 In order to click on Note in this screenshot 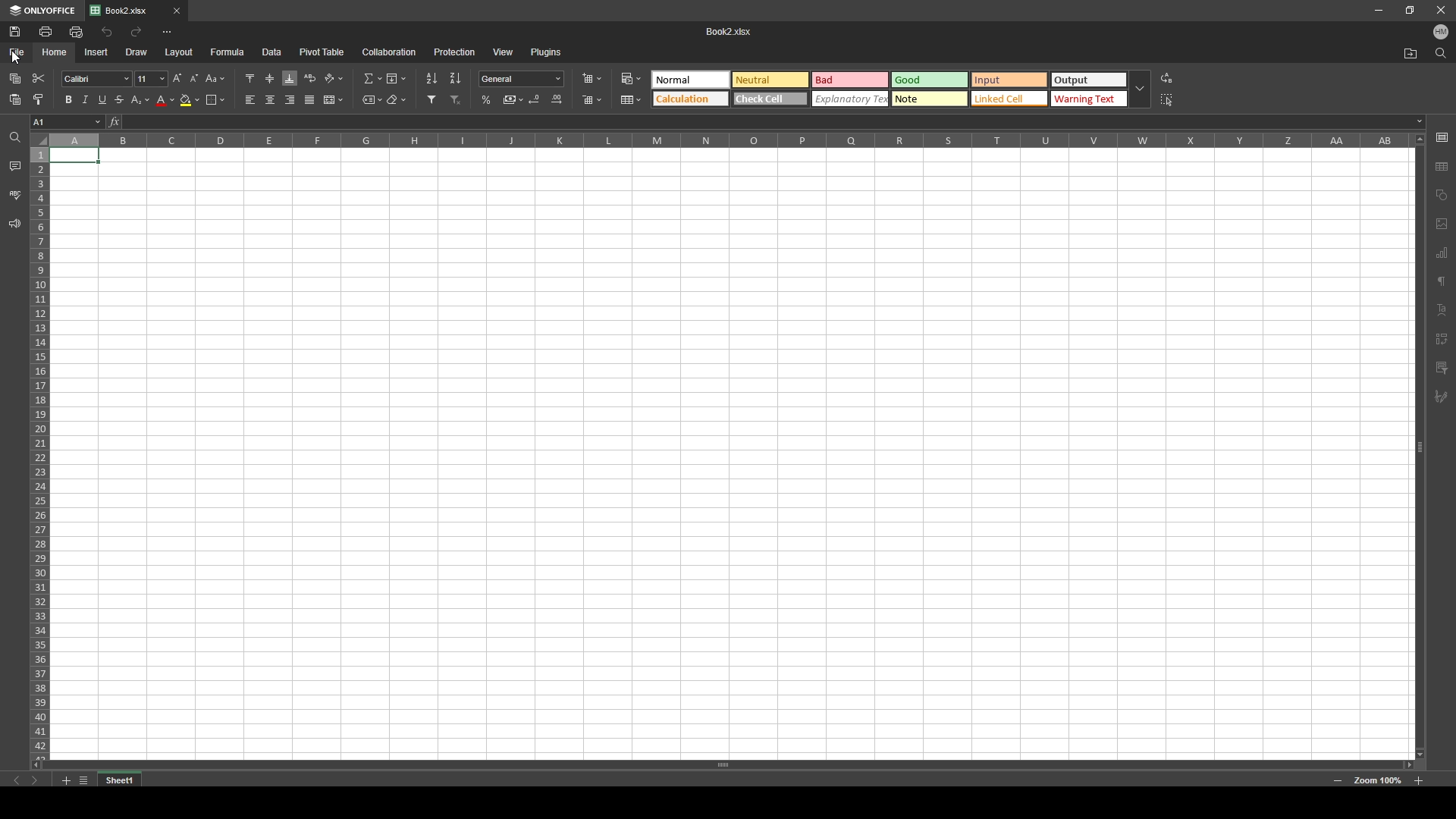, I will do `click(930, 99)`.